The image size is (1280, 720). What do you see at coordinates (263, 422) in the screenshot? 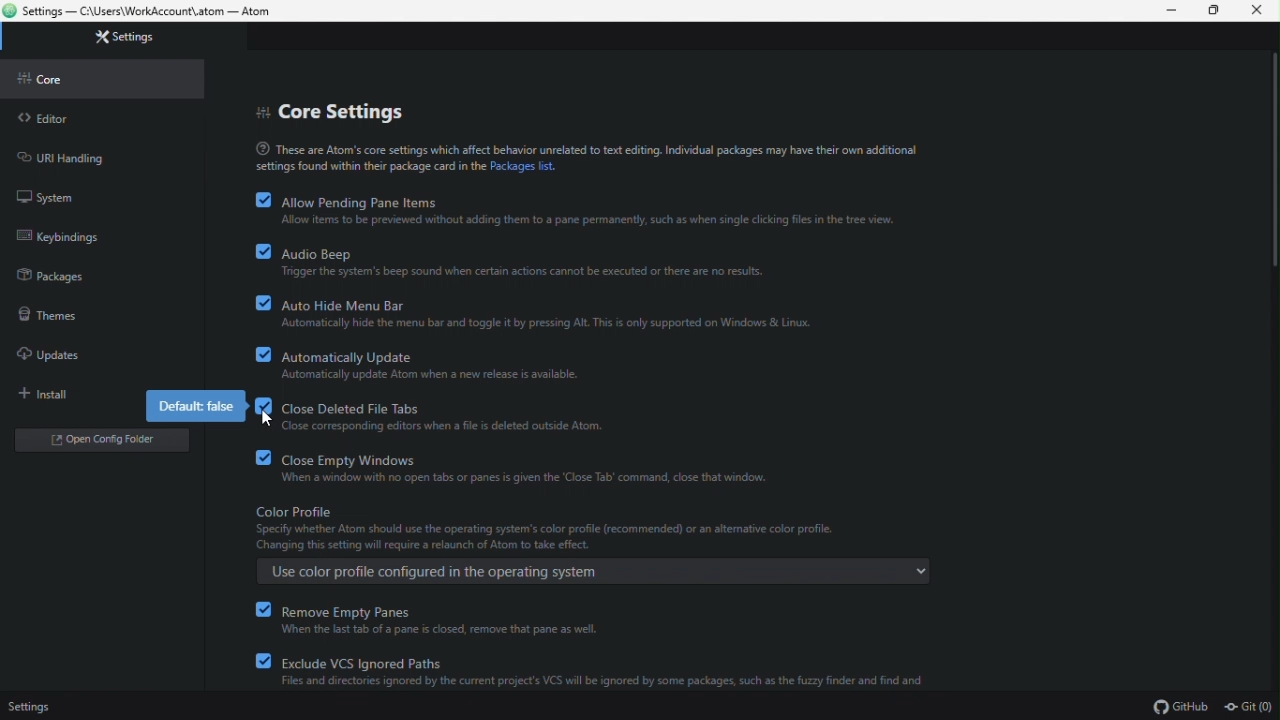
I see `Cursor` at bounding box center [263, 422].